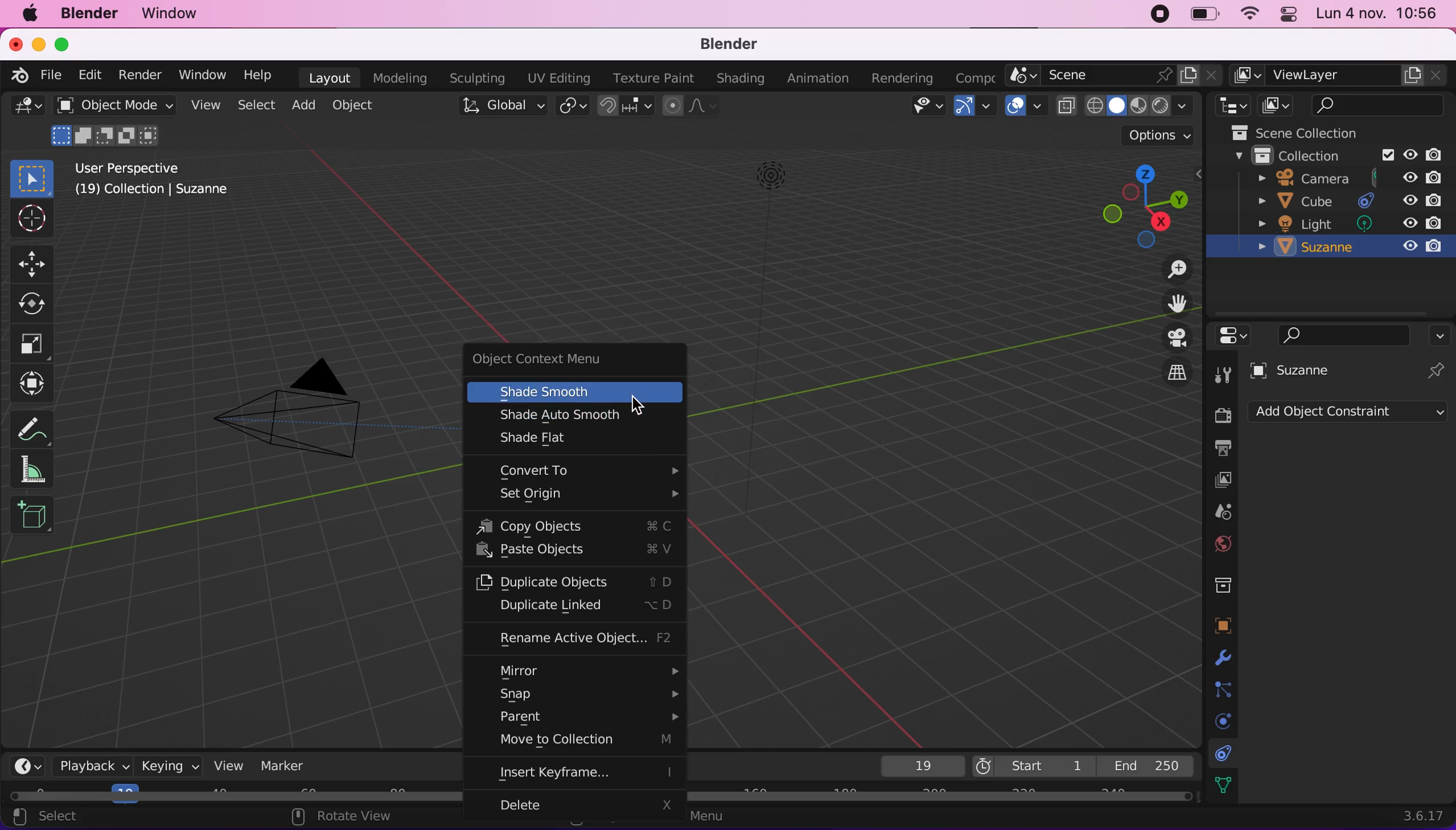  I want to click on final frame, so click(1148, 763).